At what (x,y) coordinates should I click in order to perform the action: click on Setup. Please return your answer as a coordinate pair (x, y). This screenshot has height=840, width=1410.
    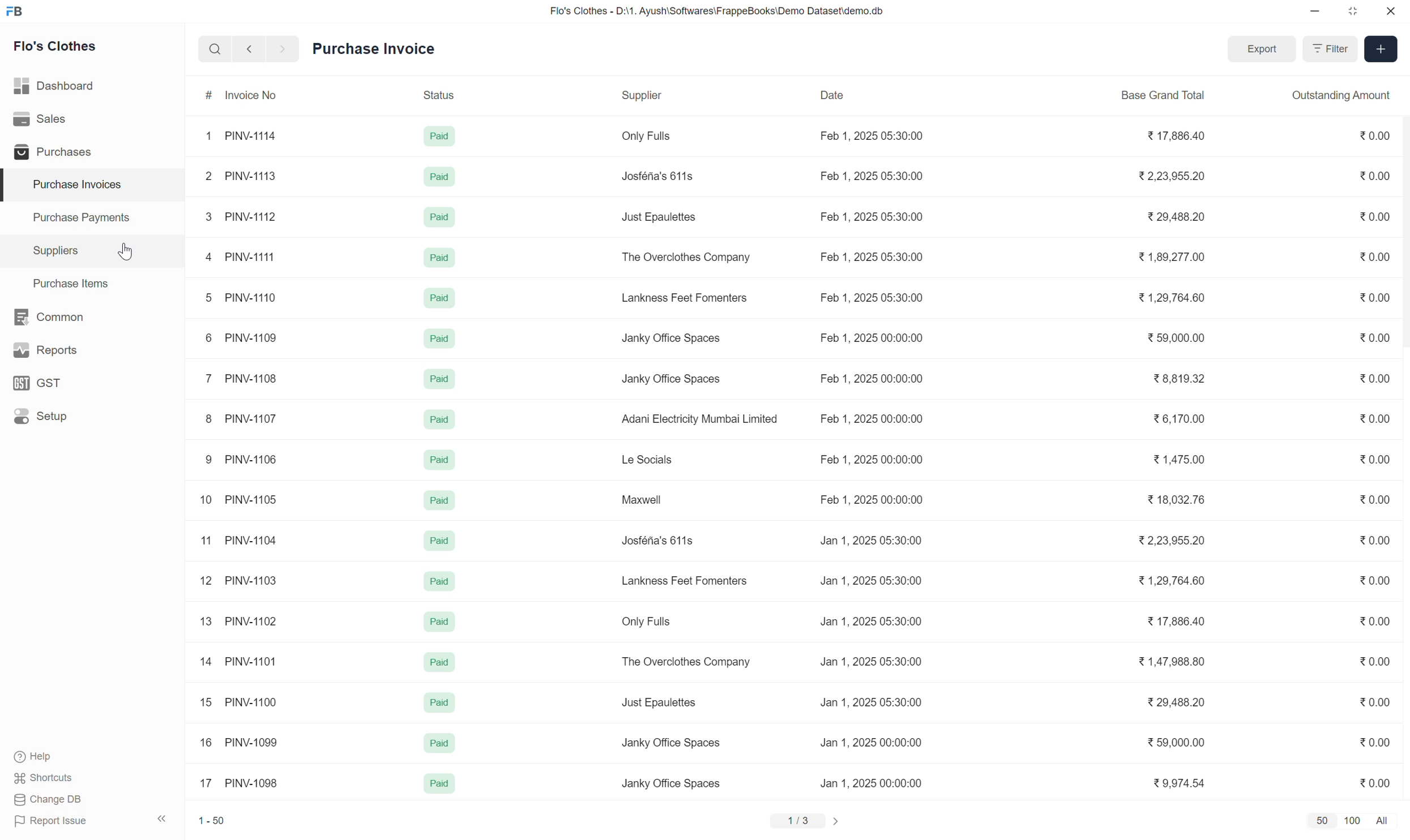
    Looking at the image, I should click on (91, 416).